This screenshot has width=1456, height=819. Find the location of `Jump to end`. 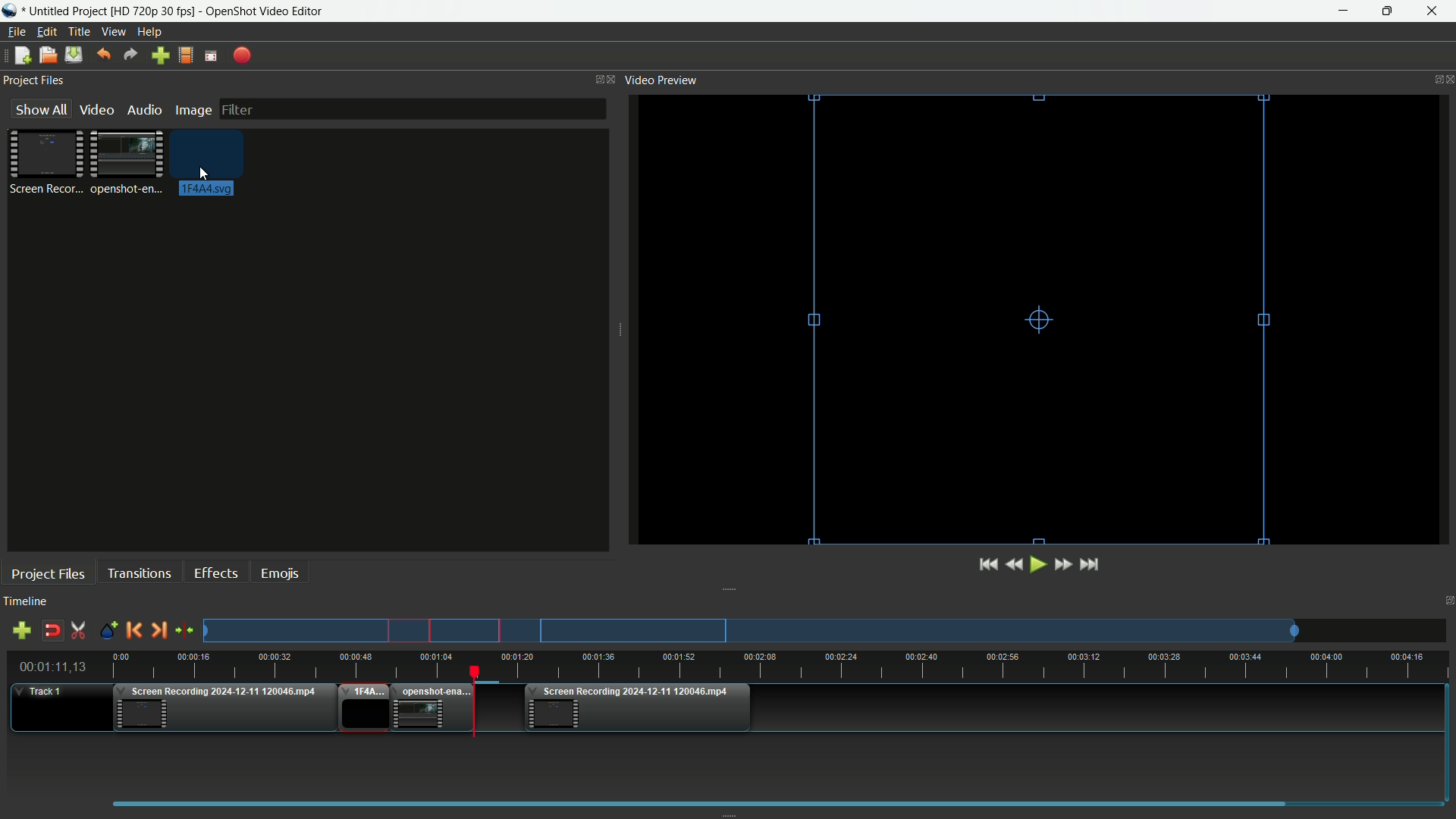

Jump to end is located at coordinates (1090, 564).